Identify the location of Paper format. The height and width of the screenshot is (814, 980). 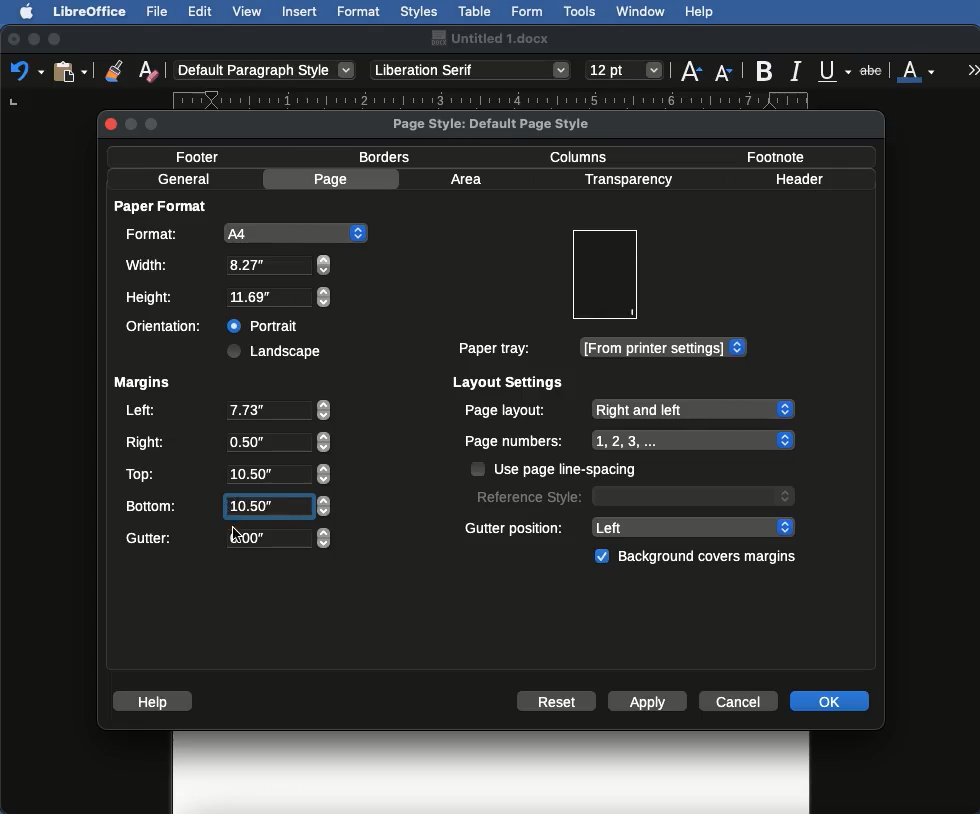
(162, 205).